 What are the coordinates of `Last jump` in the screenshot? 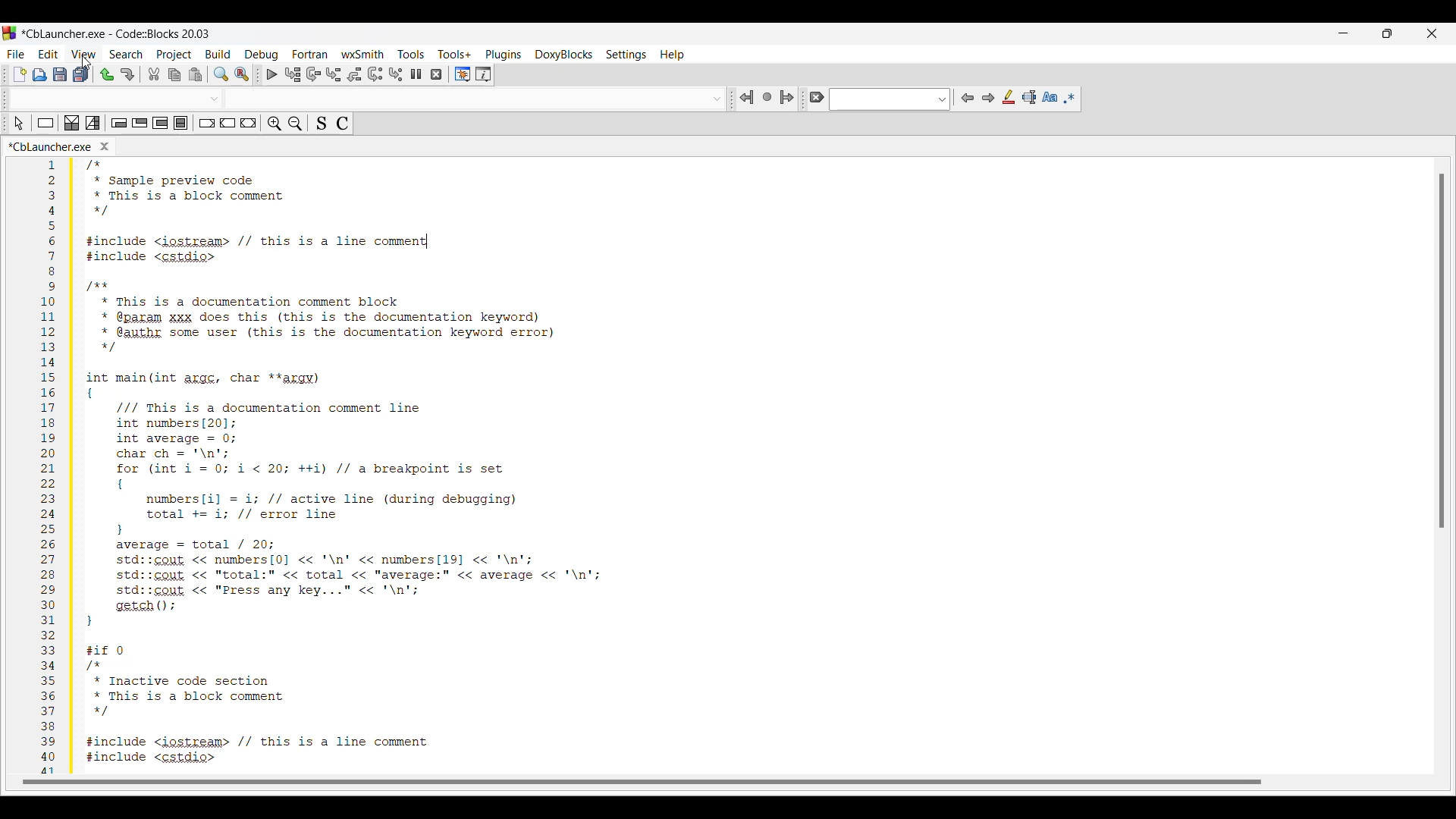 It's located at (767, 96).